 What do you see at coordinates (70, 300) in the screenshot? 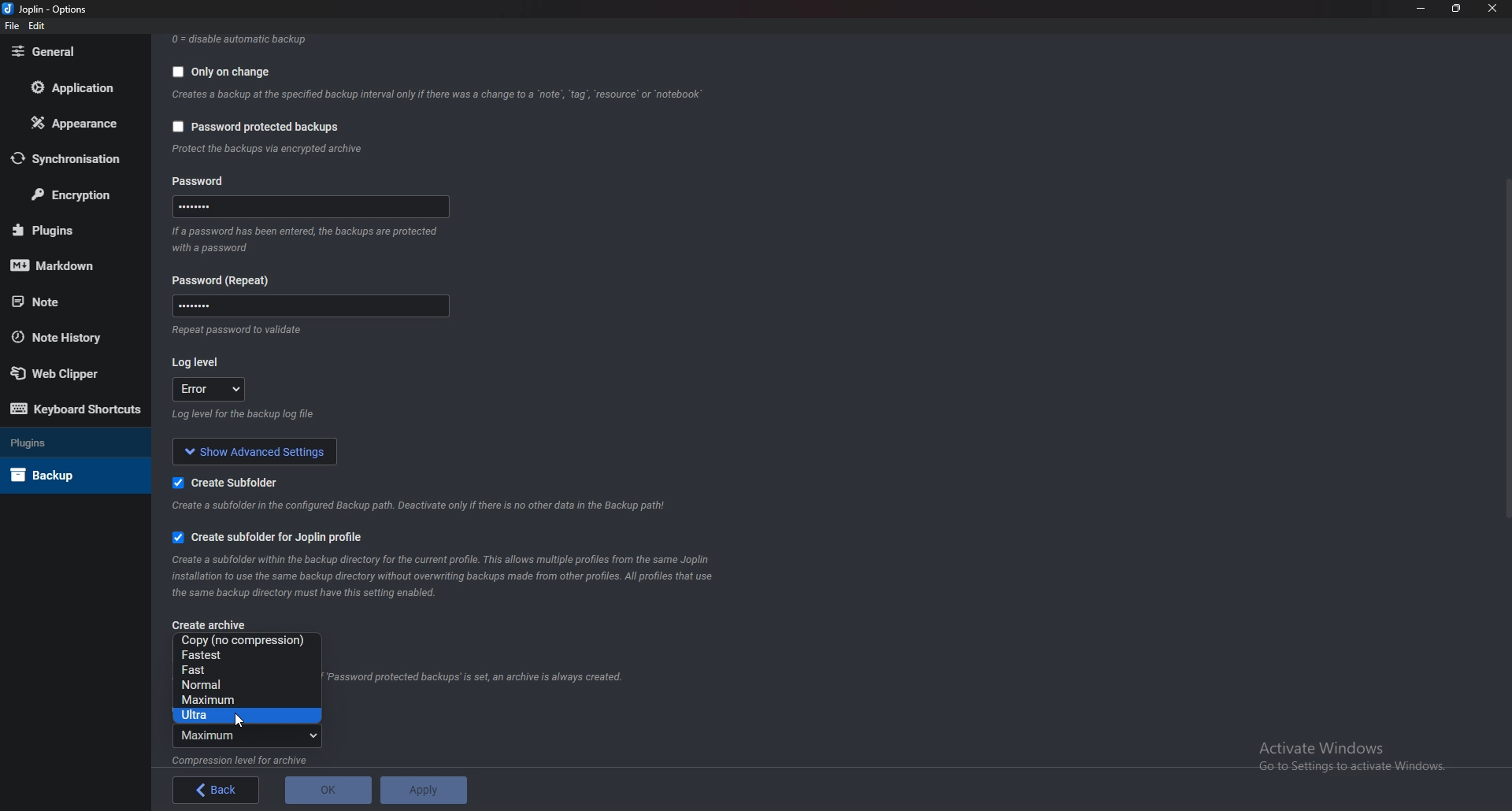
I see `Note` at bounding box center [70, 300].